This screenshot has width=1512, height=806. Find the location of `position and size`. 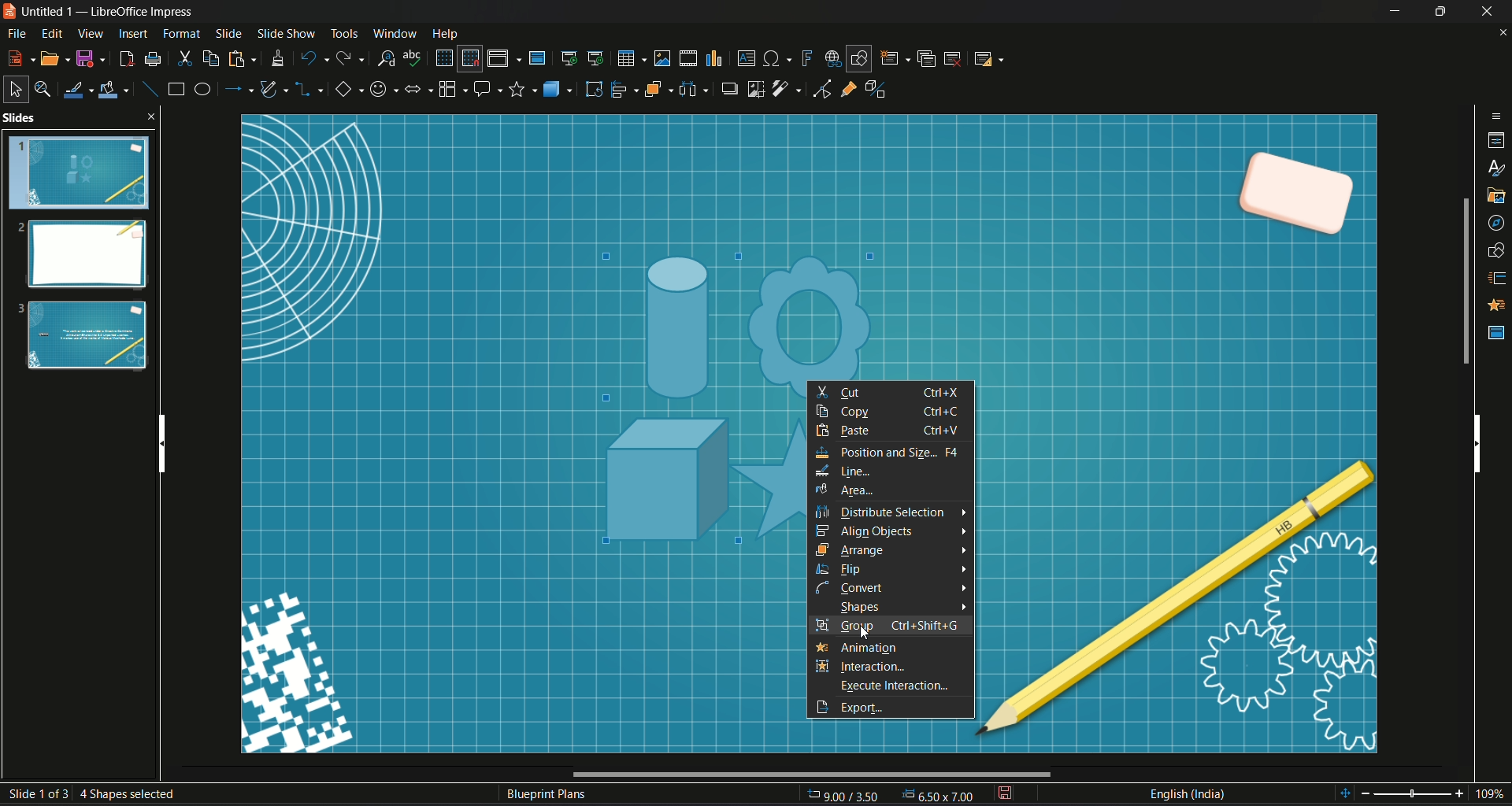

position and size is located at coordinates (890, 451).